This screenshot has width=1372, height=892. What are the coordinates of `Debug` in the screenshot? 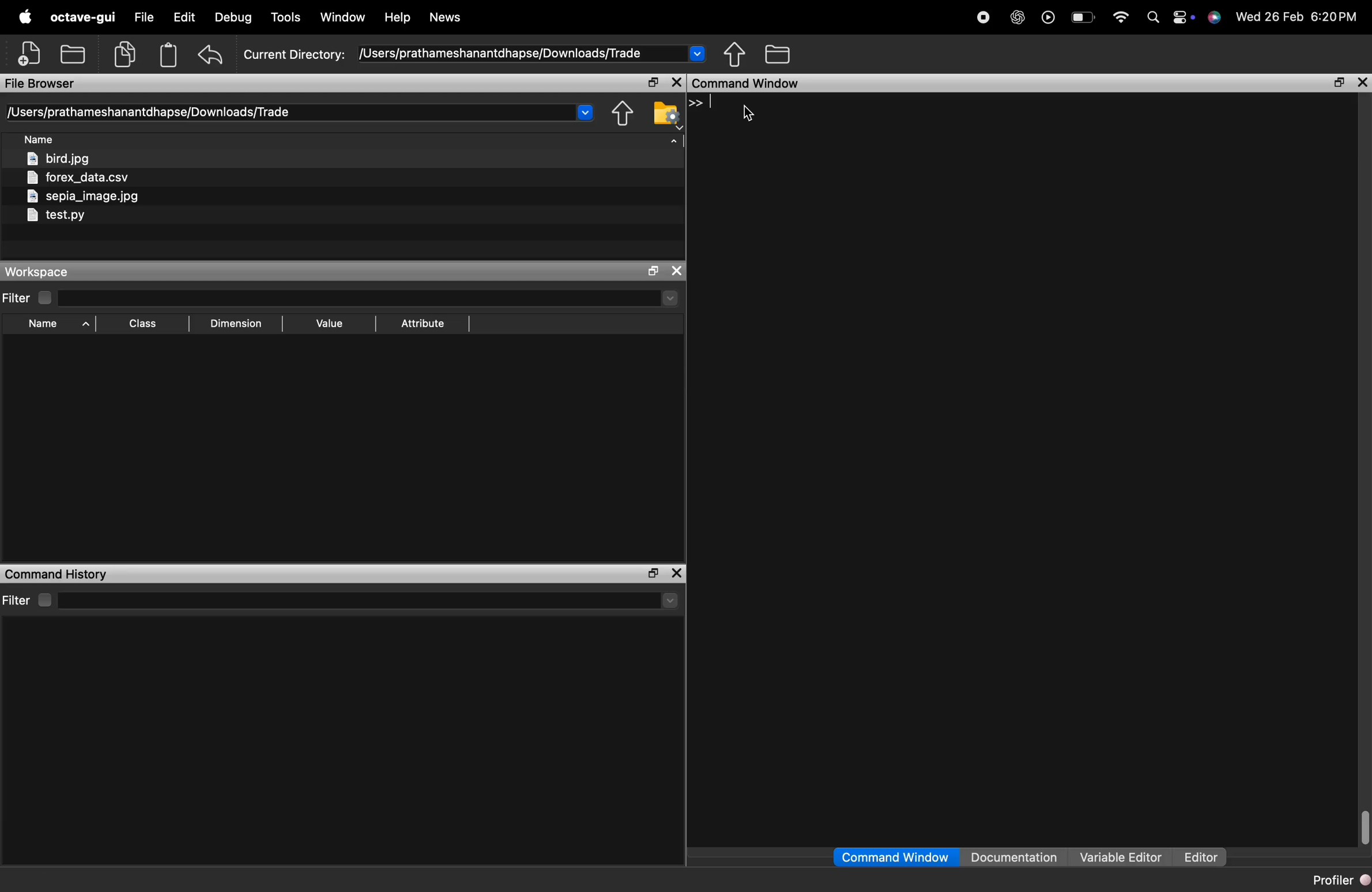 It's located at (233, 17).